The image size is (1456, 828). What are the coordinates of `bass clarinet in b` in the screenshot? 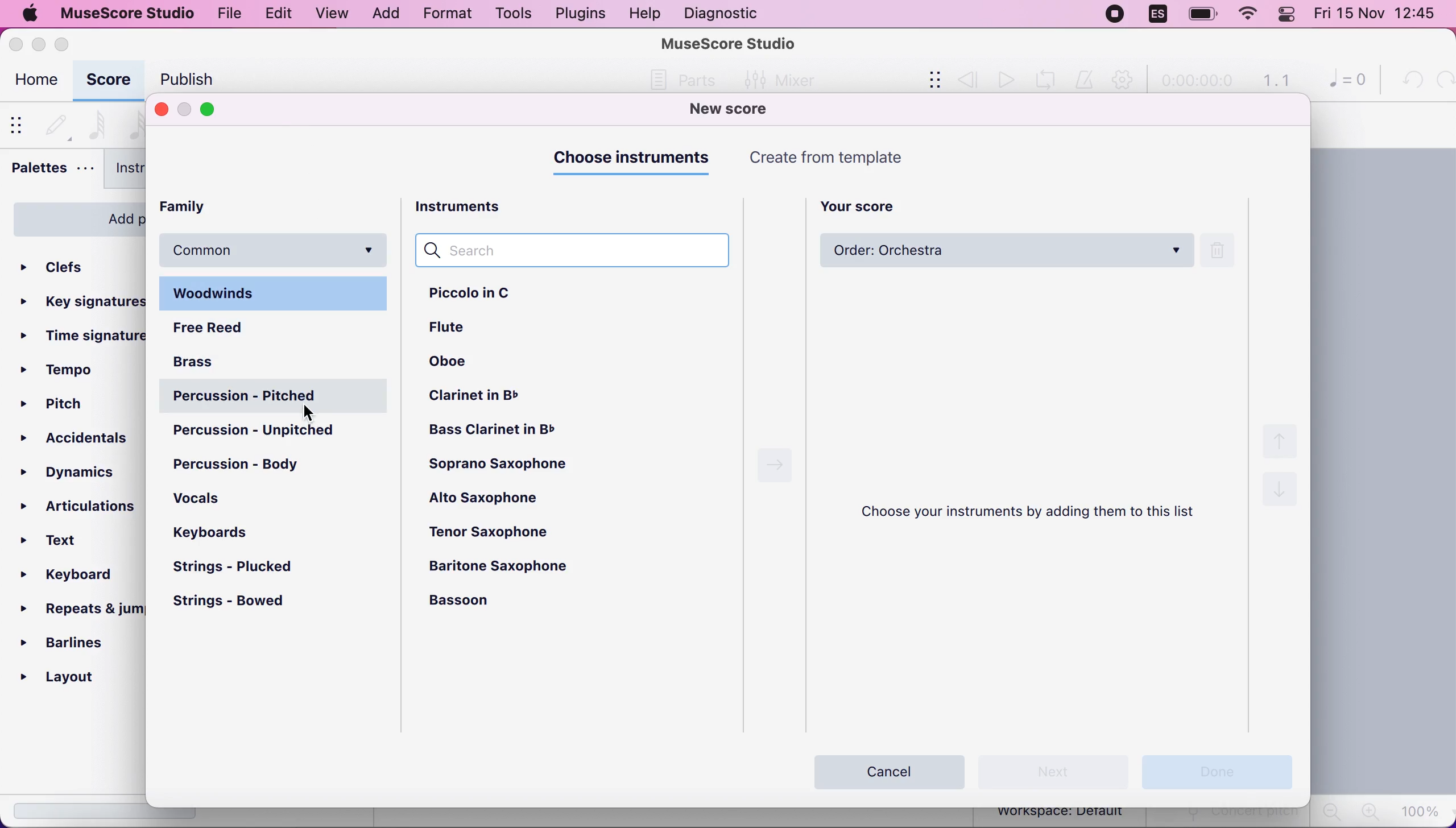 It's located at (511, 431).